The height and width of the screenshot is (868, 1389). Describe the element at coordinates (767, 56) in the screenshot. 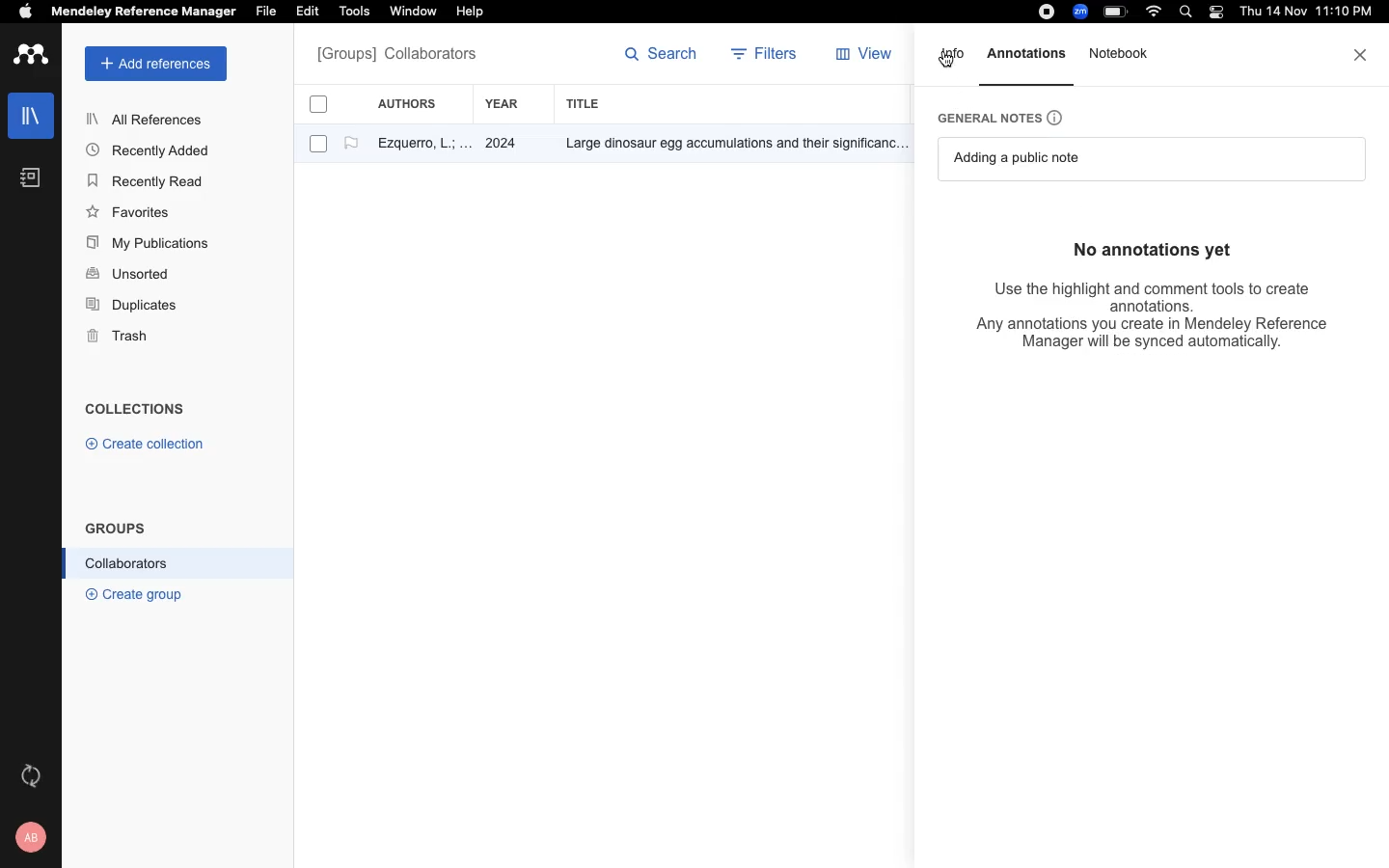

I see `filters` at that location.